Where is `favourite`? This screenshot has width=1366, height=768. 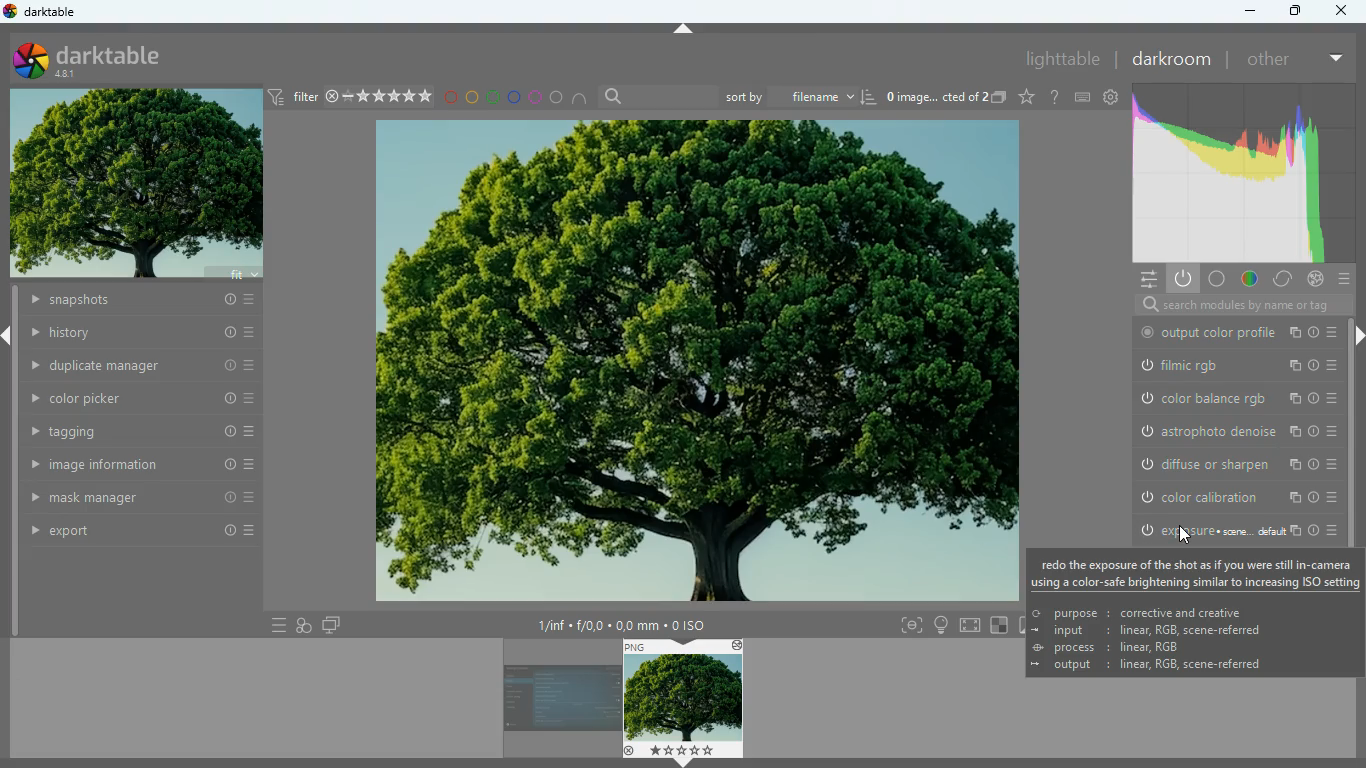
favourite is located at coordinates (1028, 99).